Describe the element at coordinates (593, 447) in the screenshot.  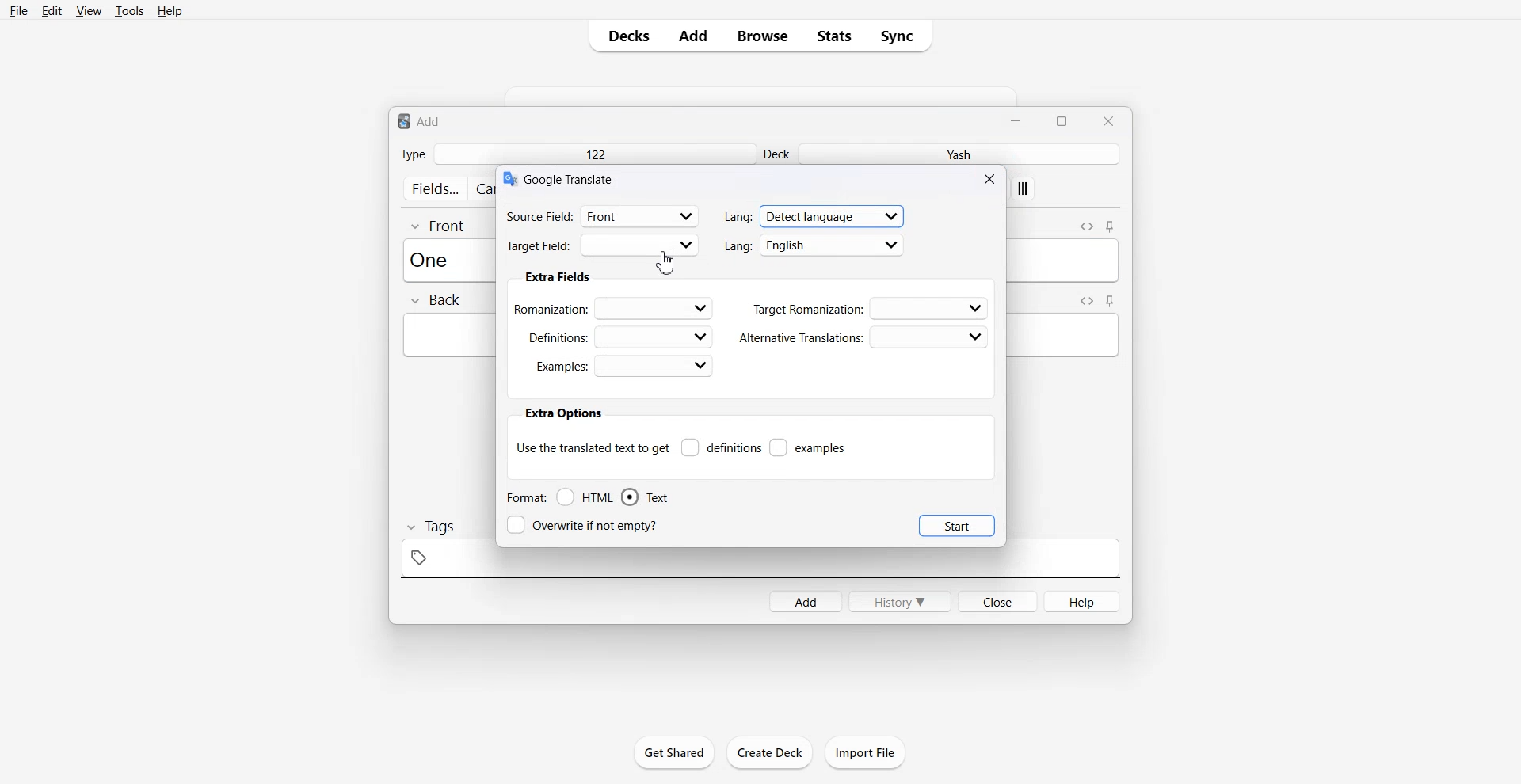
I see `Use the translate text to get` at that location.